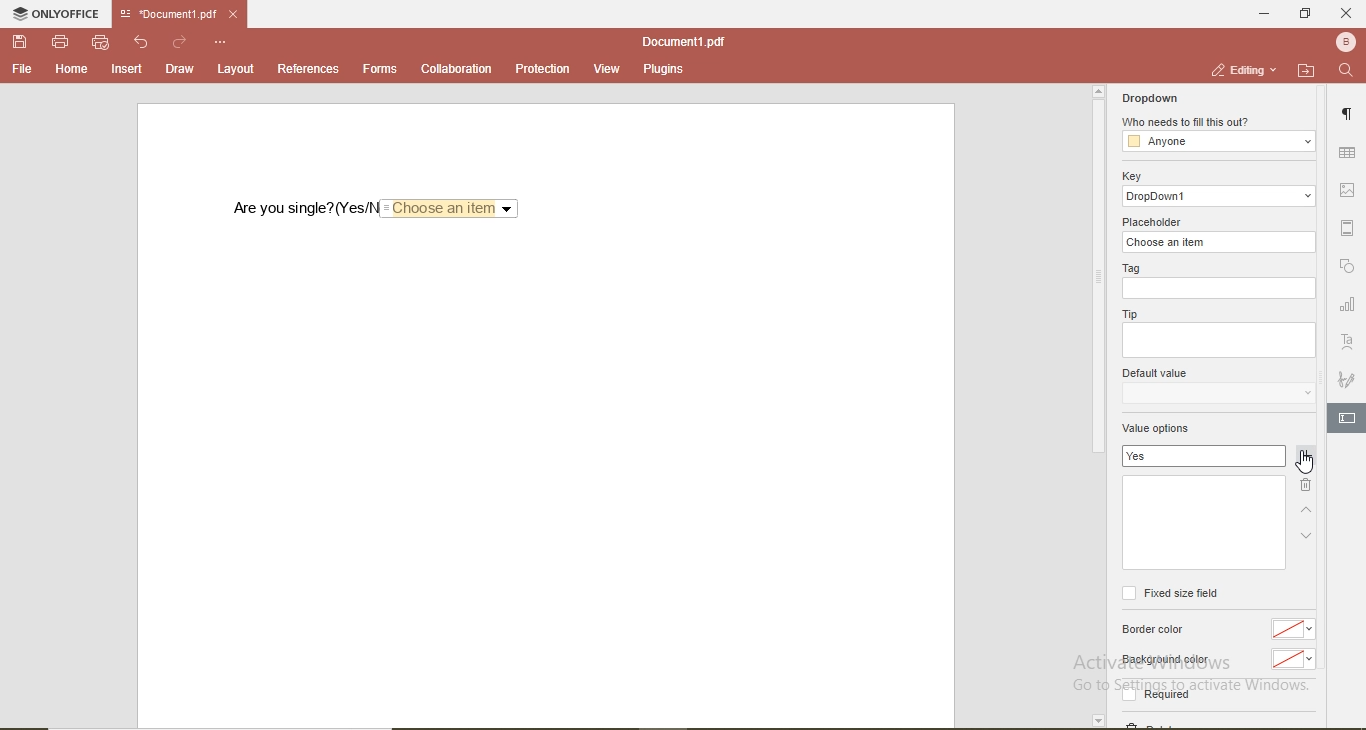  I want to click on anyone, so click(1217, 141).